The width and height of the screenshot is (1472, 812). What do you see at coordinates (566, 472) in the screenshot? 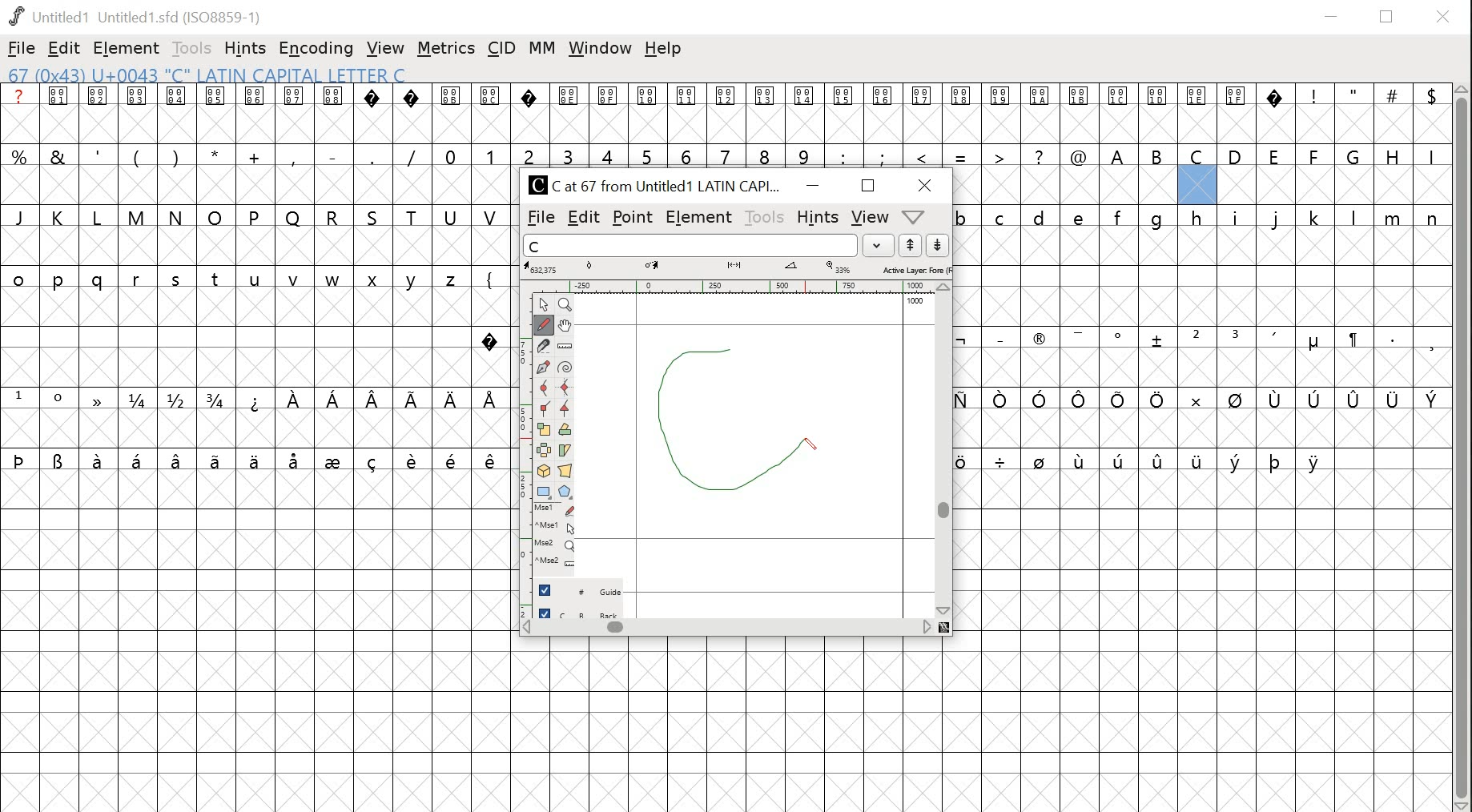
I see `perspective` at bounding box center [566, 472].